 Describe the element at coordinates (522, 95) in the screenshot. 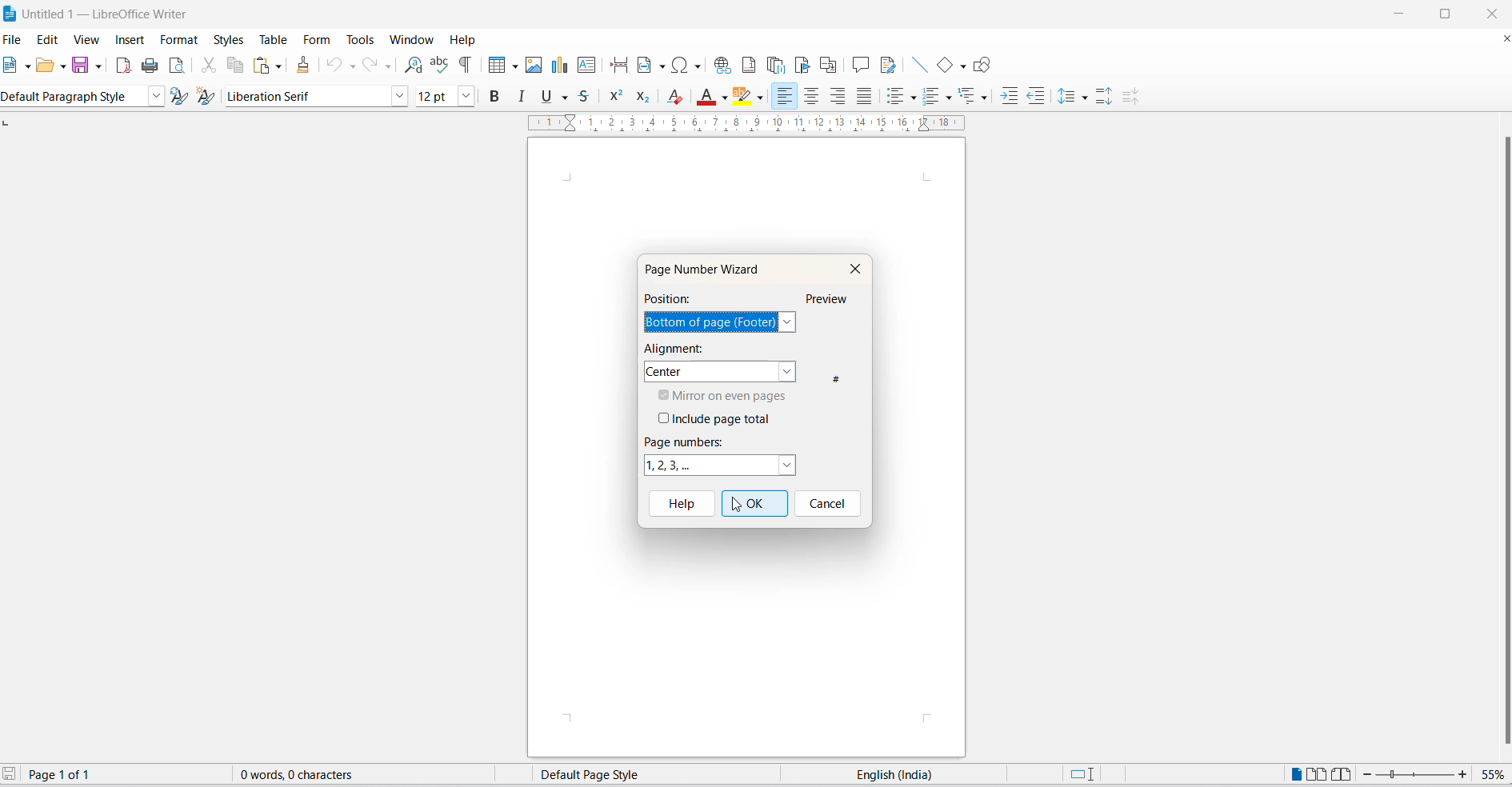

I see `italic` at that location.